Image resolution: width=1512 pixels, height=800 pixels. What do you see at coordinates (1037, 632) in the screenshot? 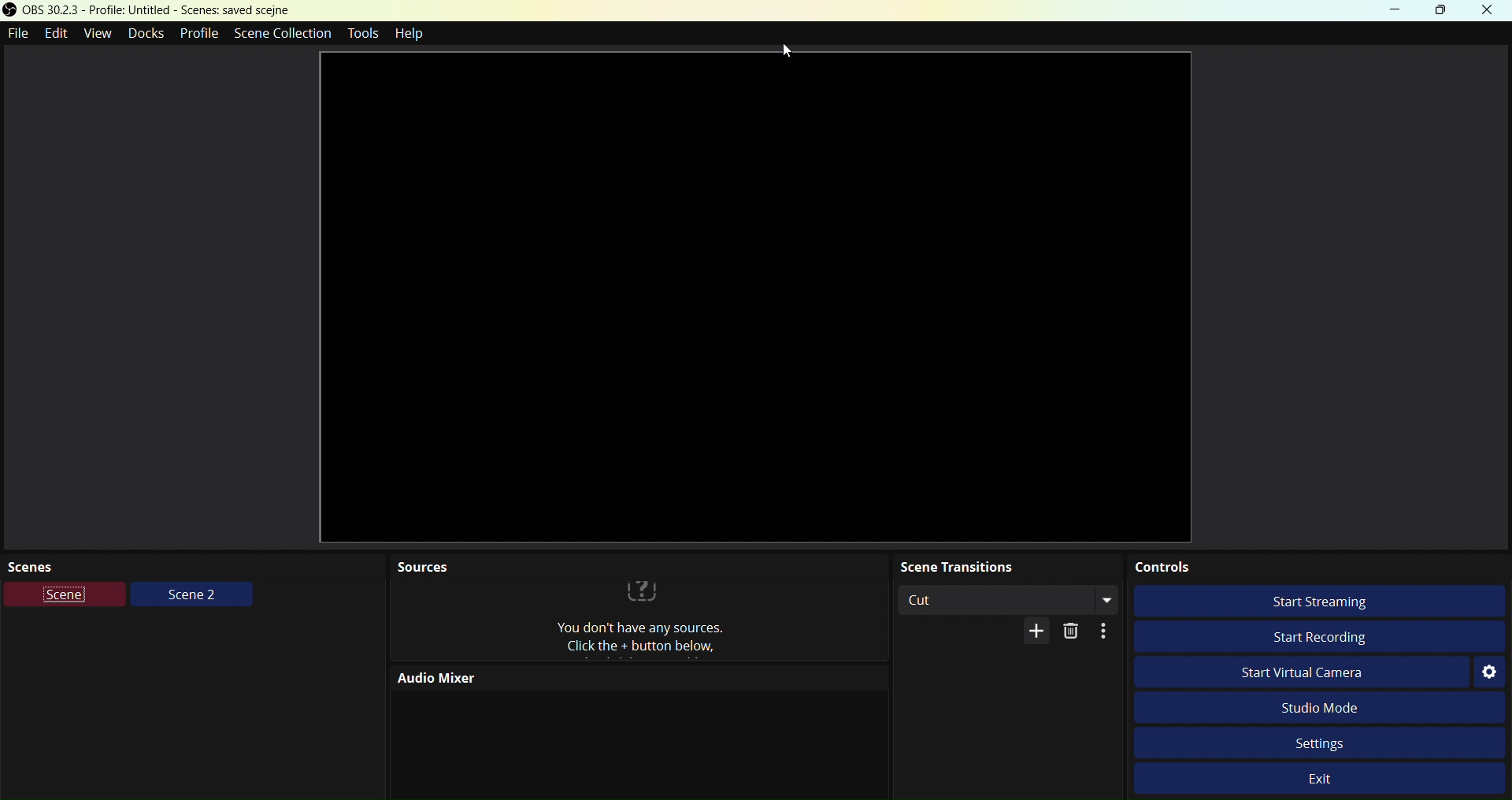
I see `More` at bounding box center [1037, 632].